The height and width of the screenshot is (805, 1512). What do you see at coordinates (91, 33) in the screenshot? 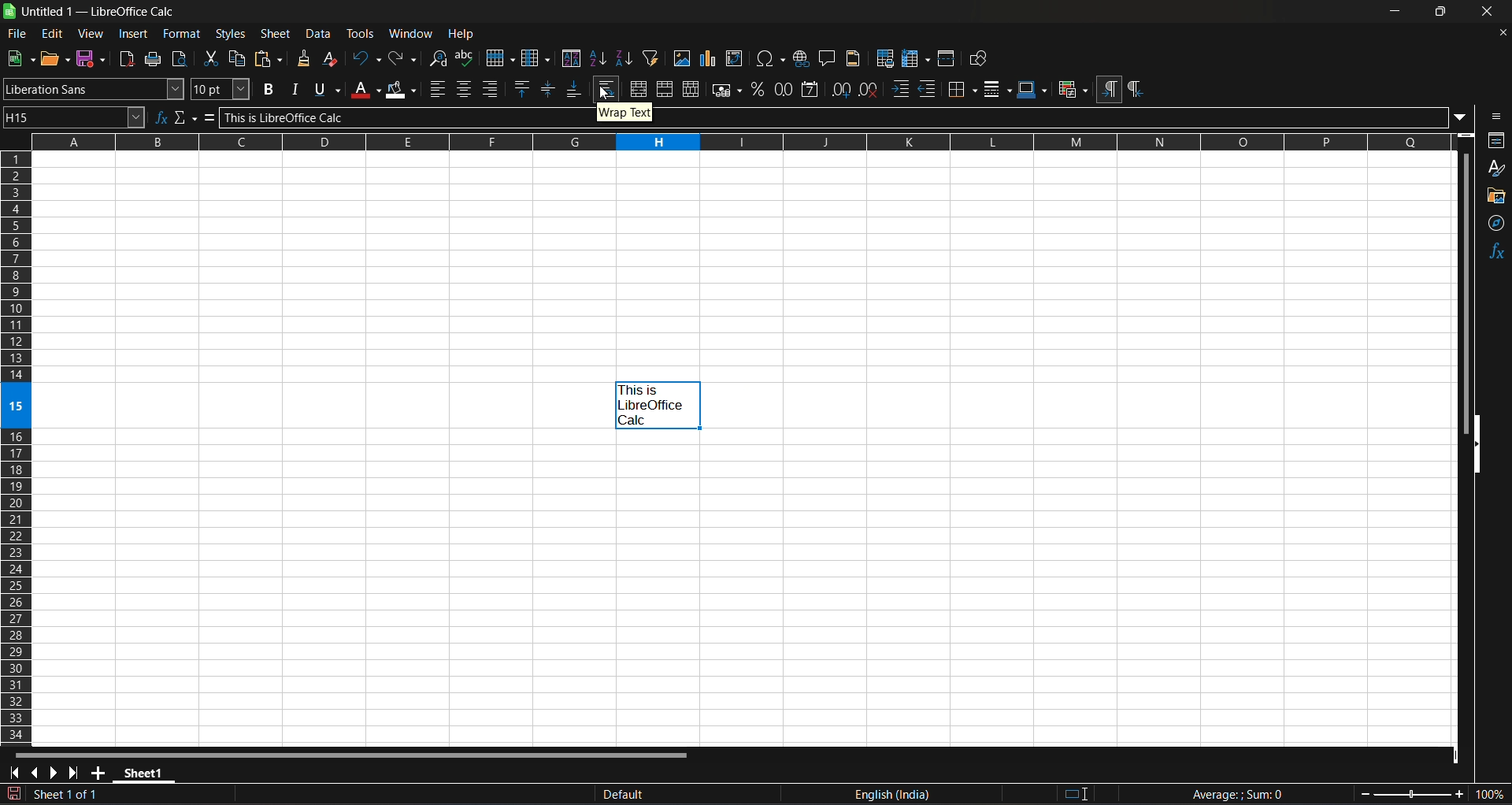
I see `view` at bounding box center [91, 33].